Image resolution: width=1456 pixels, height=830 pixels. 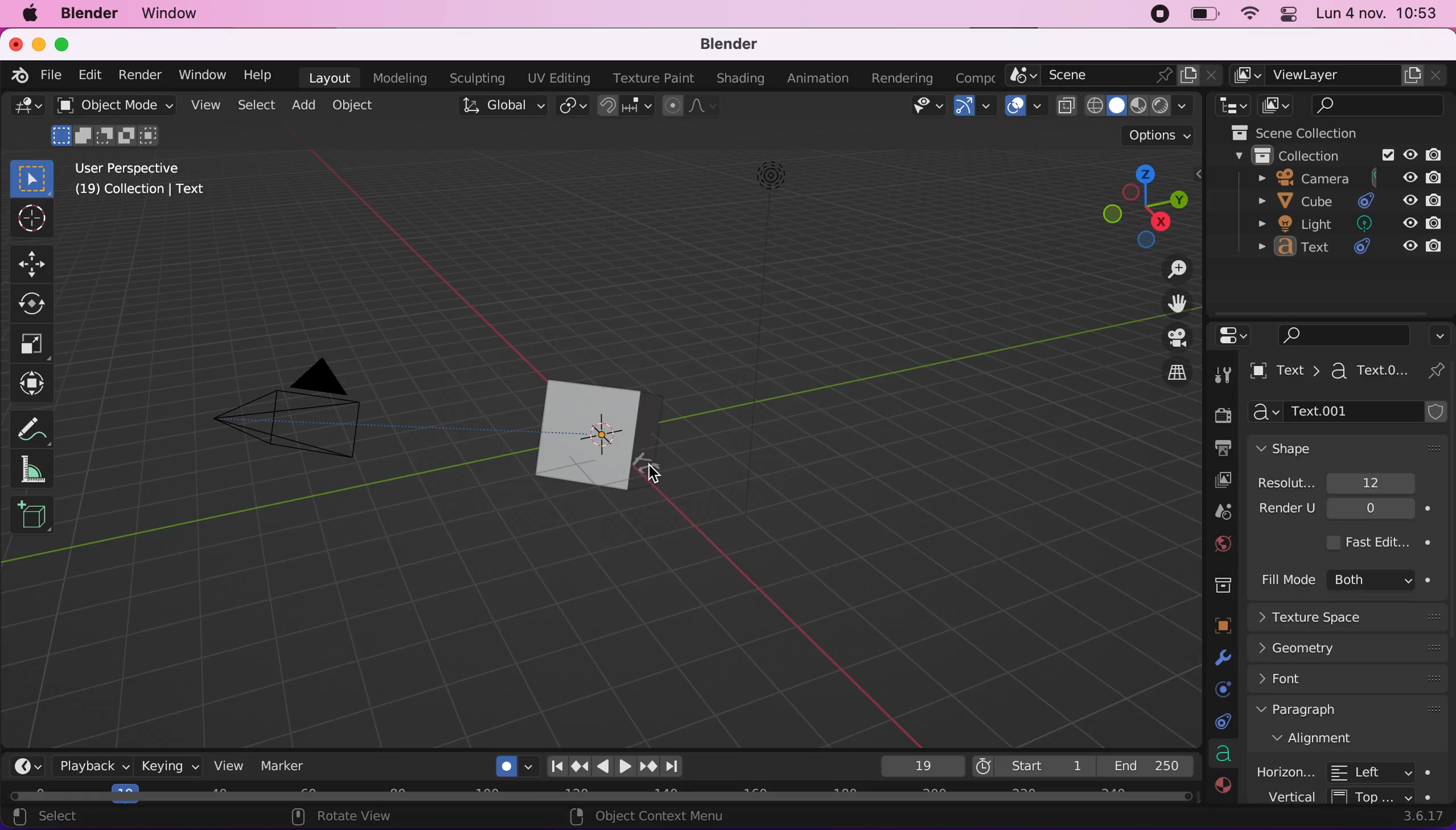 What do you see at coordinates (1223, 788) in the screenshot?
I see `material` at bounding box center [1223, 788].